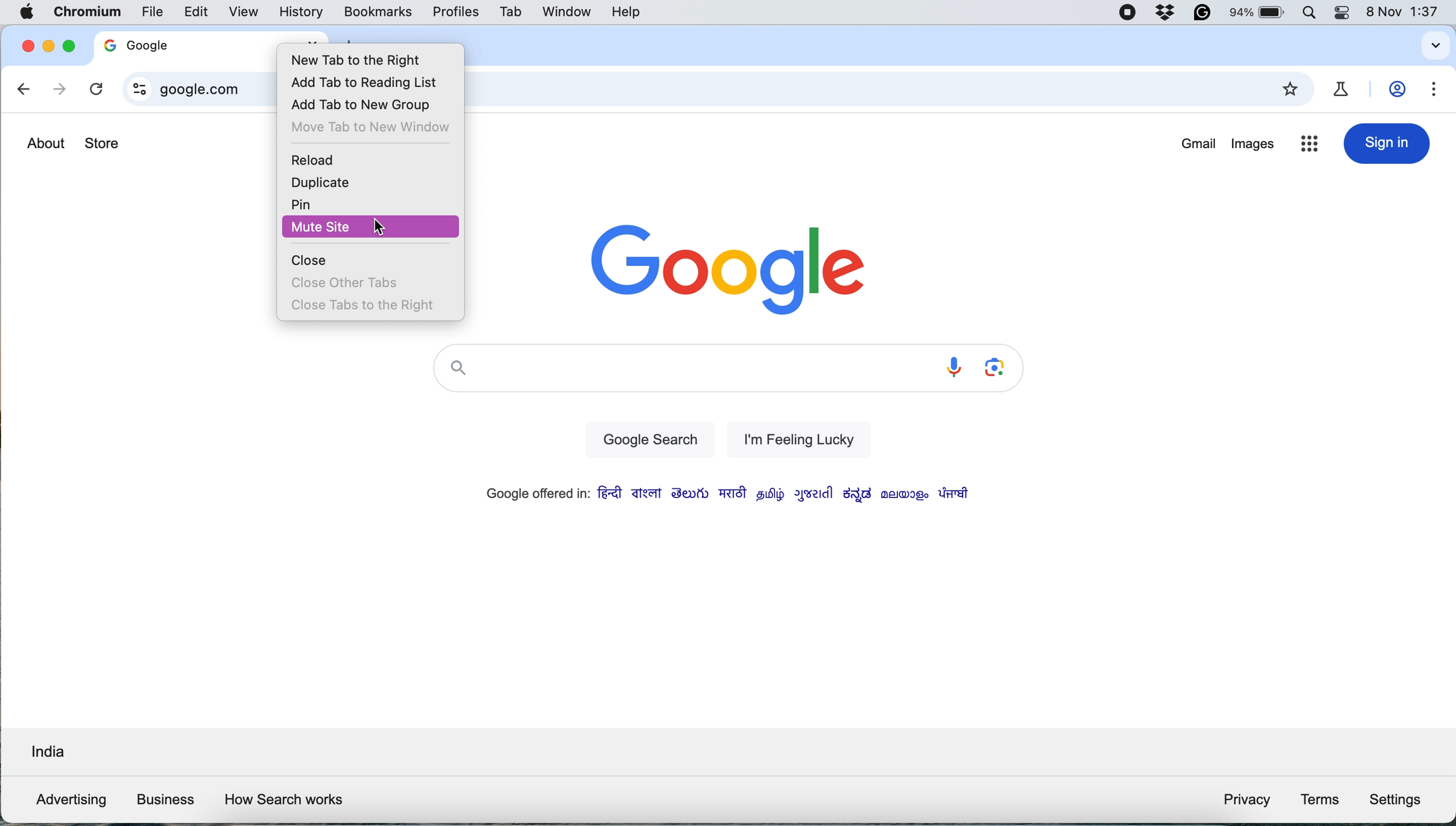  Describe the element at coordinates (378, 11) in the screenshot. I see `bookmarks` at that location.